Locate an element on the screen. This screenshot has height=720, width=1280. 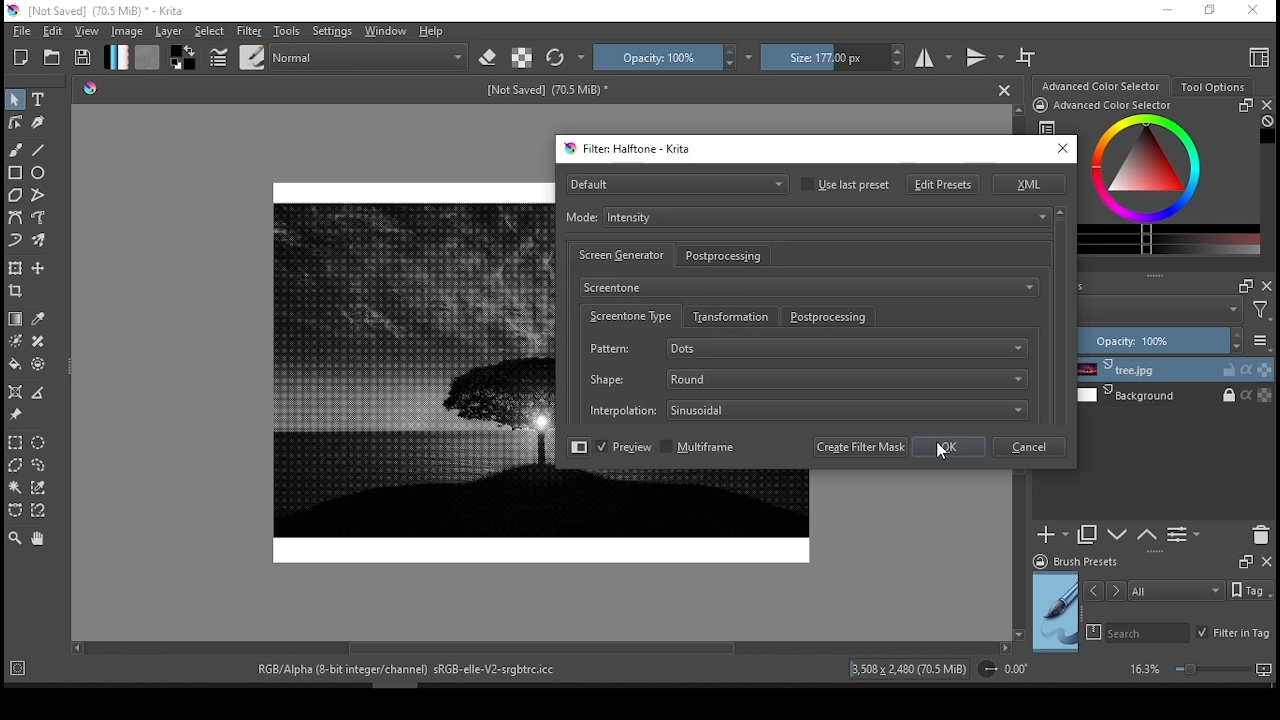
layer 2 is located at coordinates (1180, 396).